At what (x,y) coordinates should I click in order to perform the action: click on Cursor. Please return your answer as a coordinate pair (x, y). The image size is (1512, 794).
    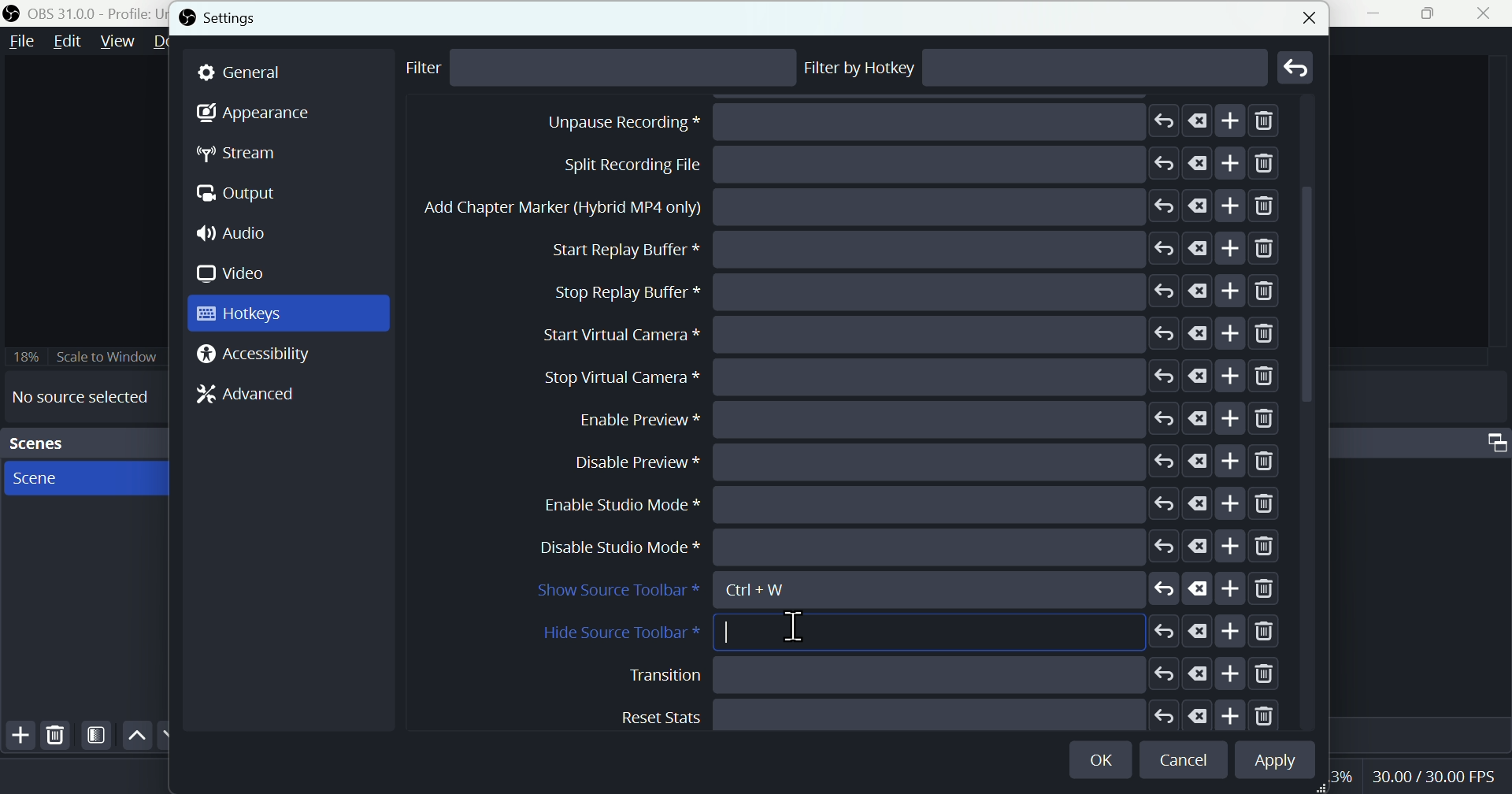
    Looking at the image, I should click on (795, 626).